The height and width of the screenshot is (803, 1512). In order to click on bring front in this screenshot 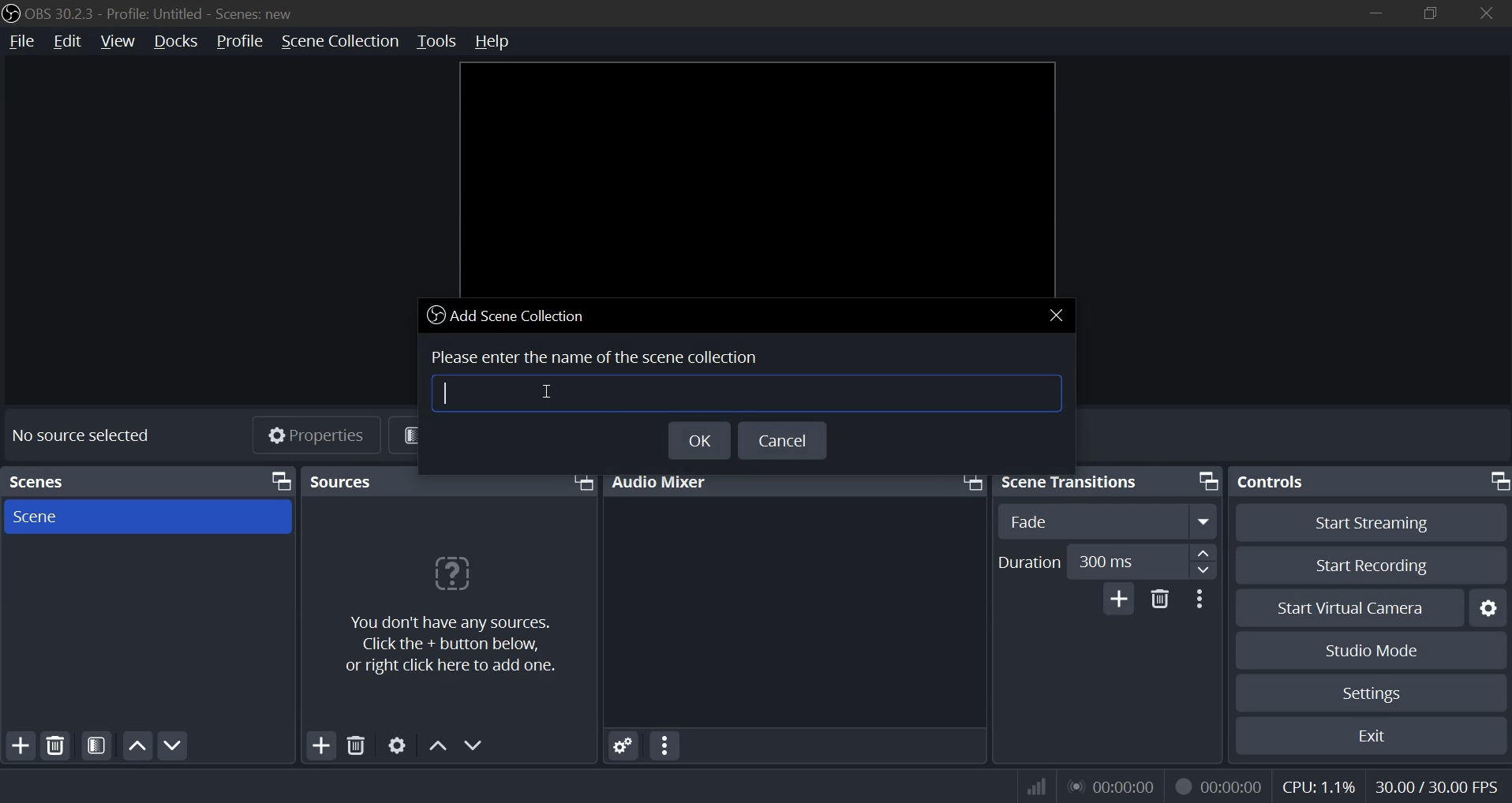, I will do `click(1205, 480)`.